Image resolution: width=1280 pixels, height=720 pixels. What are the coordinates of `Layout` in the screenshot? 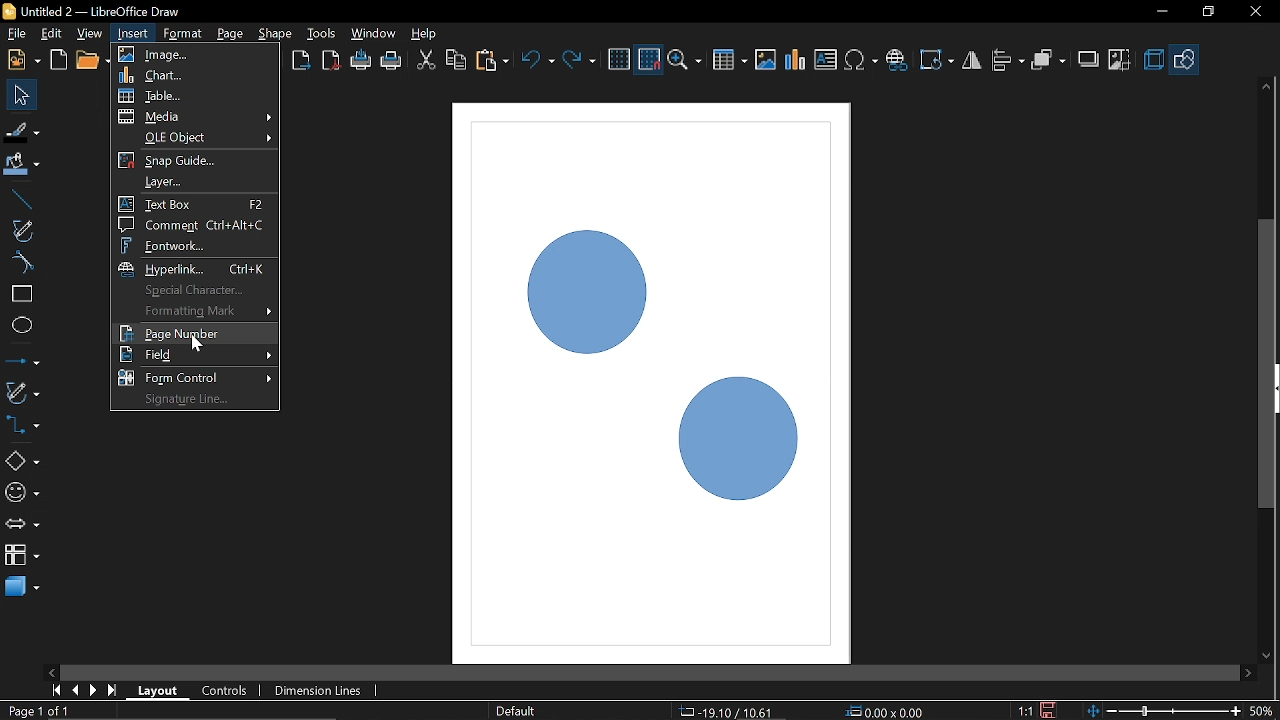 It's located at (158, 690).